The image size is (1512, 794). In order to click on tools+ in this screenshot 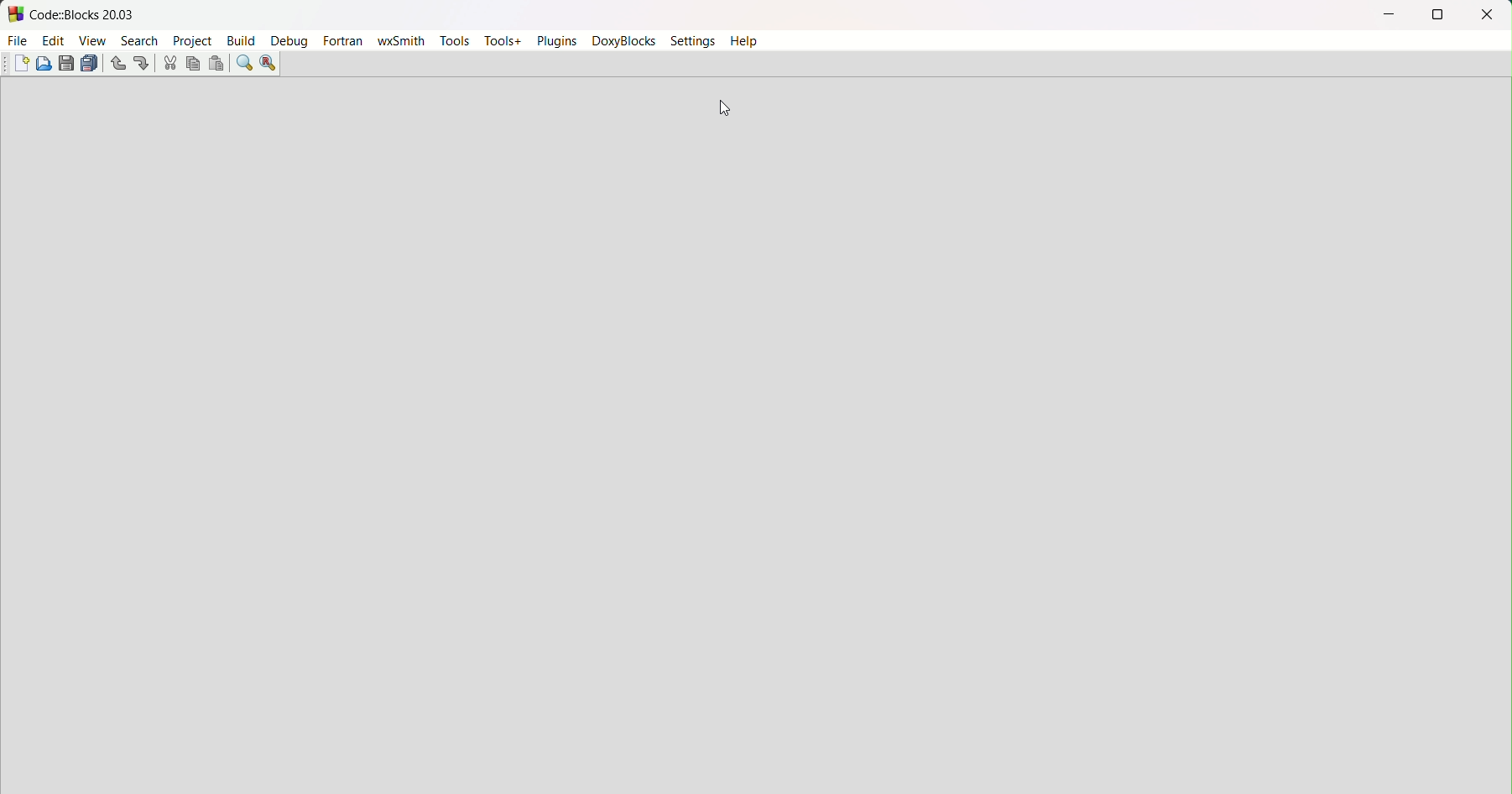, I will do `click(500, 42)`.